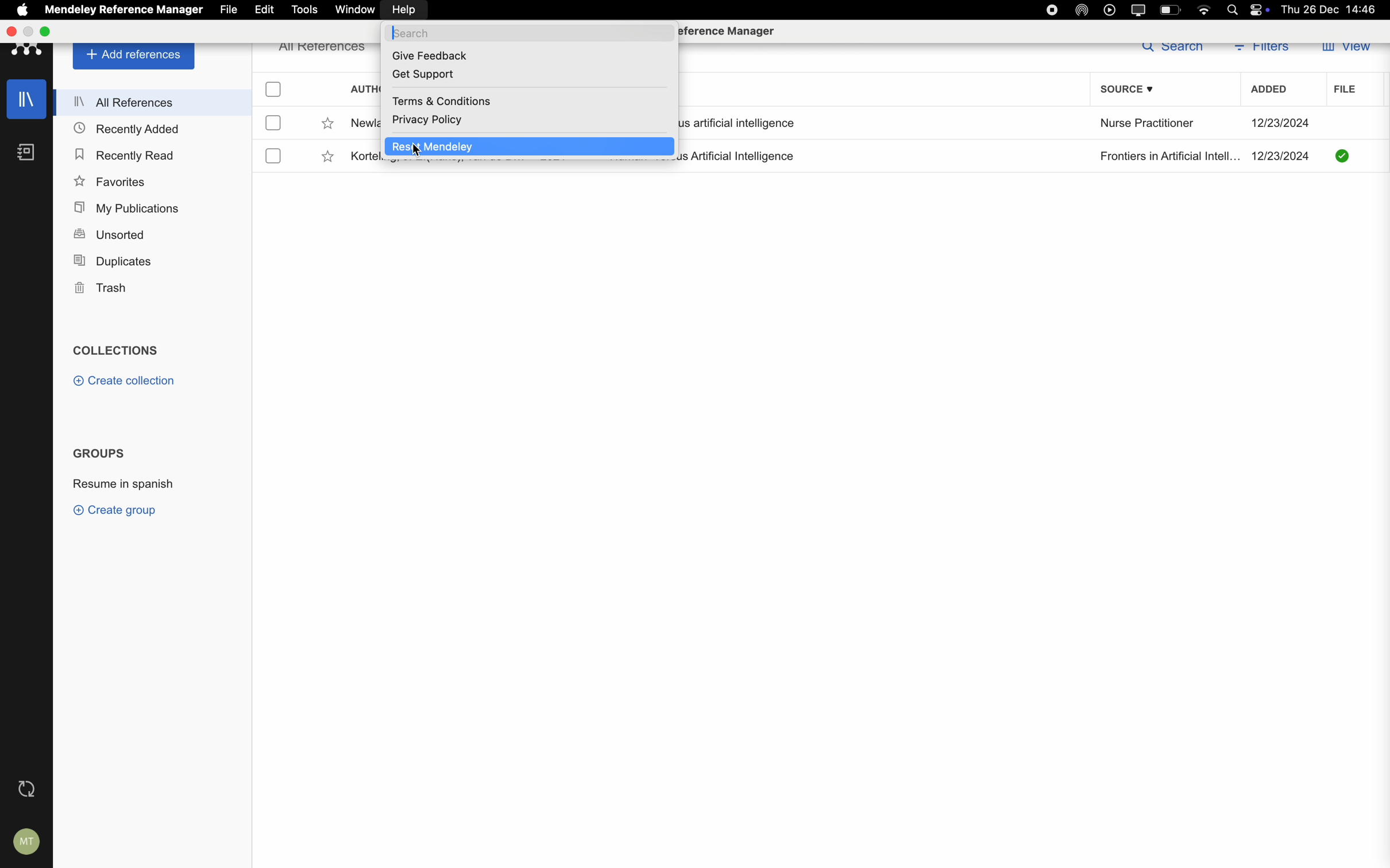 This screenshot has height=868, width=1390. I want to click on Mendeley Reference Manager, so click(738, 30).